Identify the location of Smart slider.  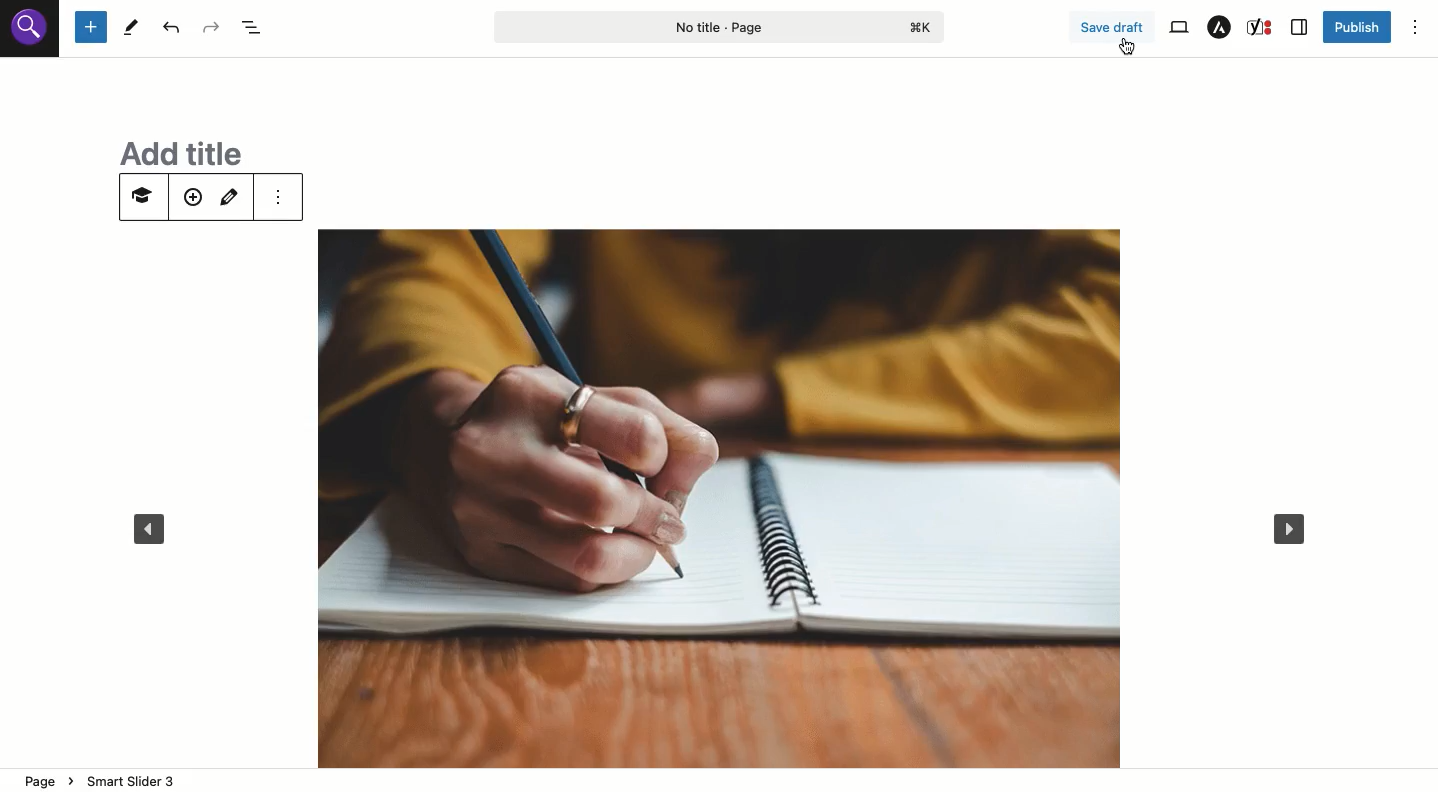
(140, 200).